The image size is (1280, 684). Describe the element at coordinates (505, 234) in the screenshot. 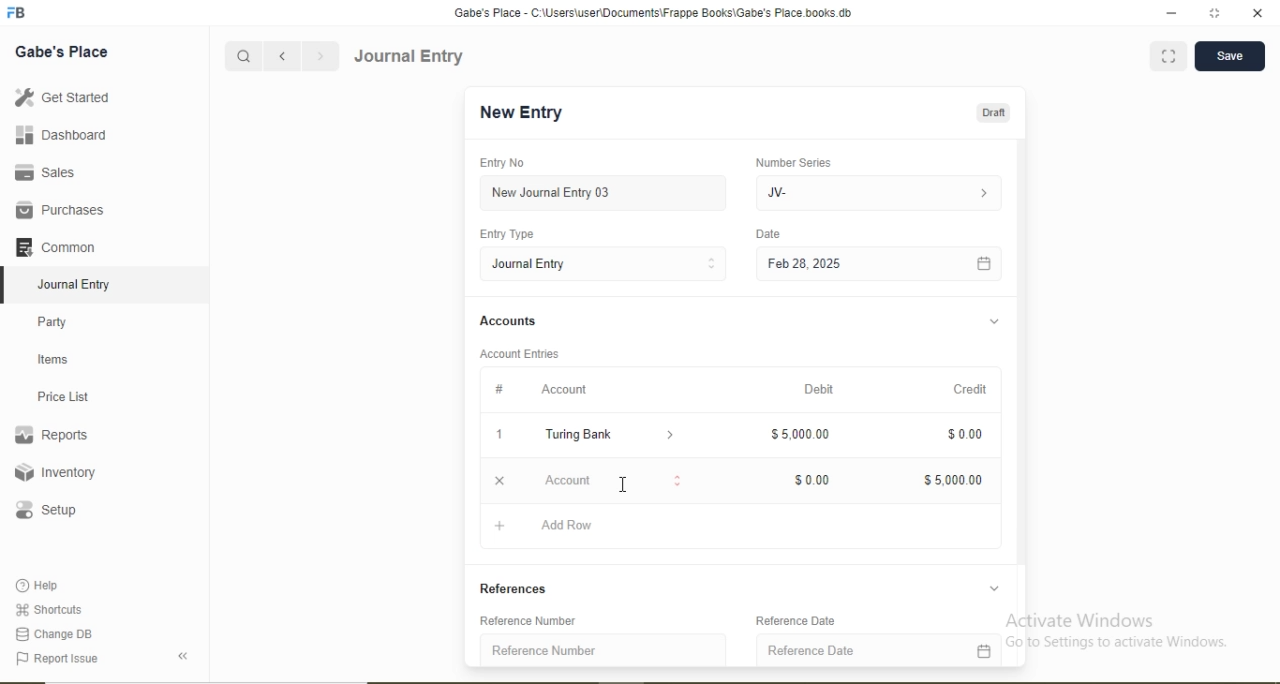

I see `Entry Type` at that location.